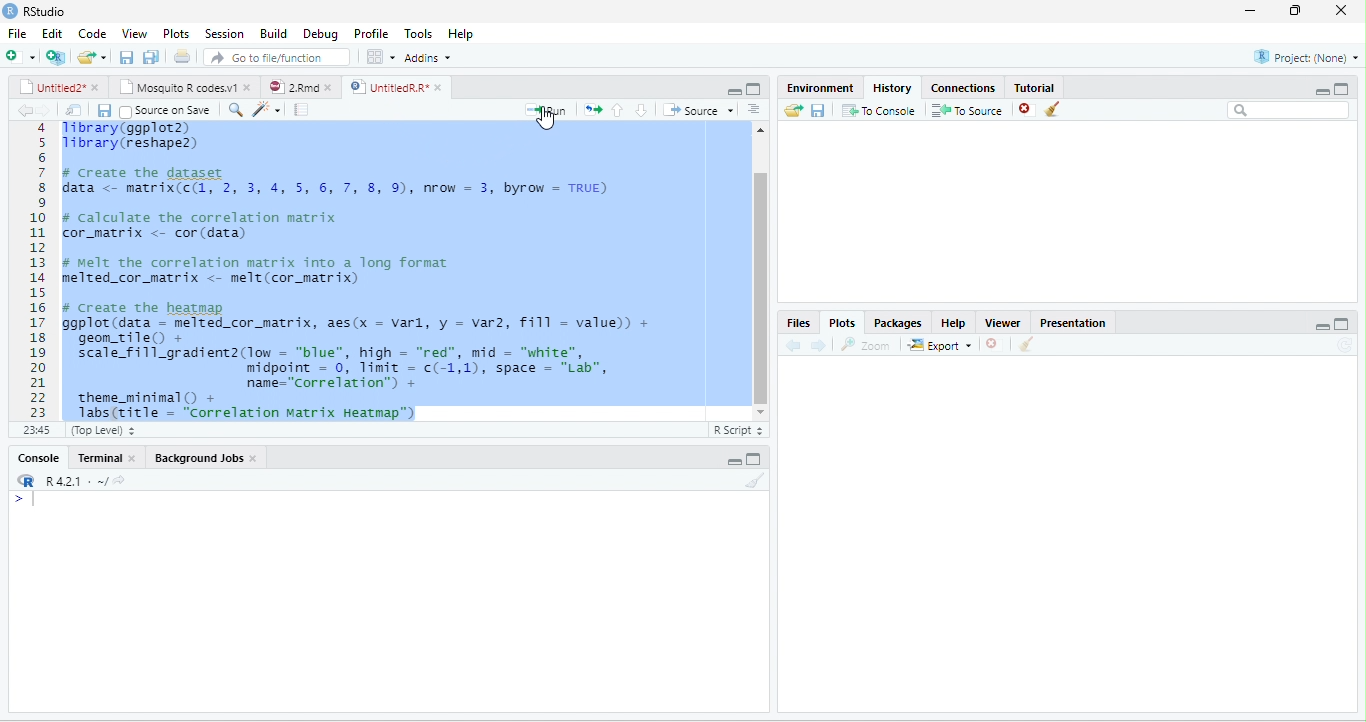 The image size is (1366, 722). Describe the element at coordinates (110, 457) in the screenshot. I see `terminal` at that location.